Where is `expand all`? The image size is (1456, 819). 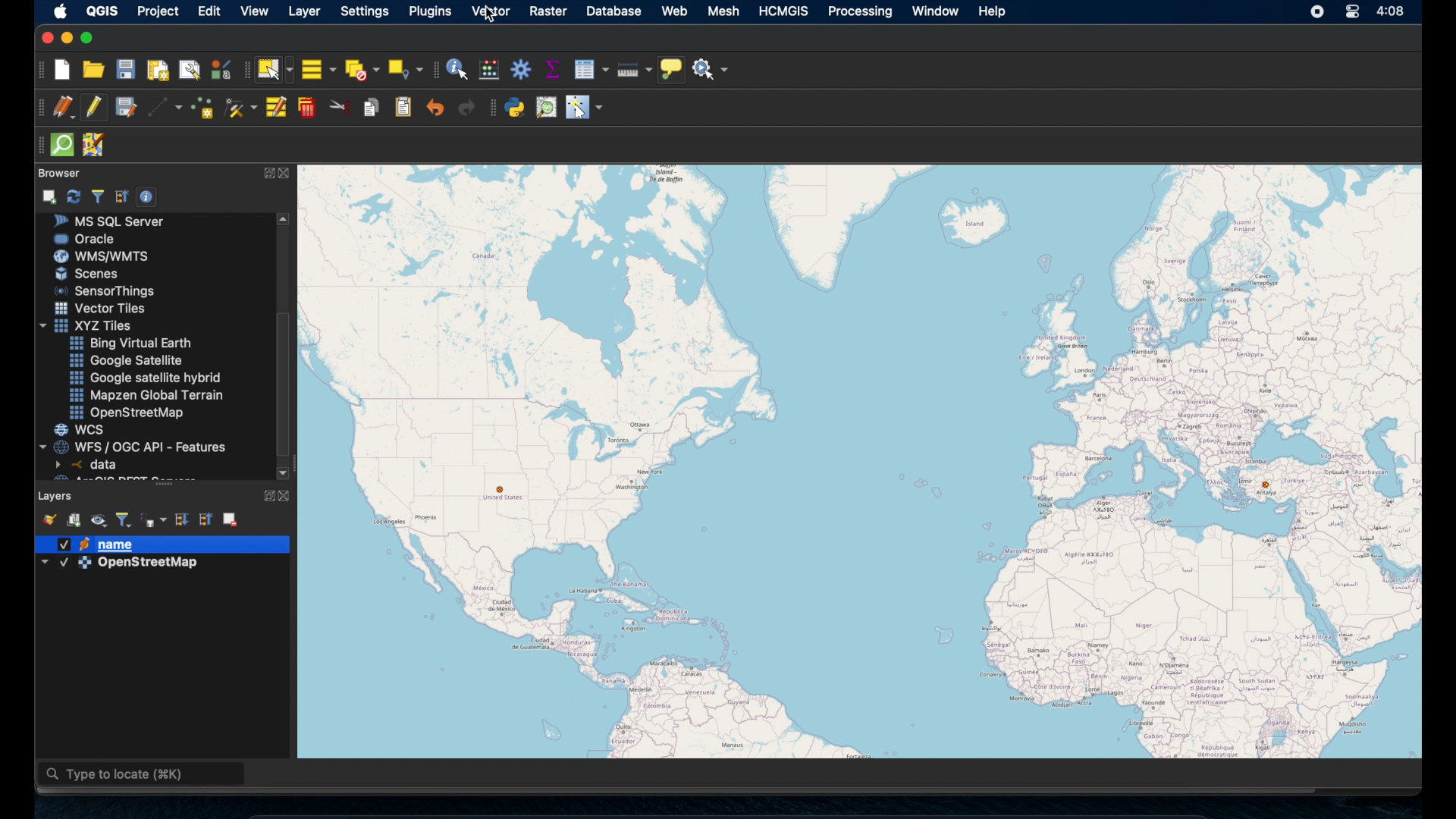 expand all is located at coordinates (180, 518).